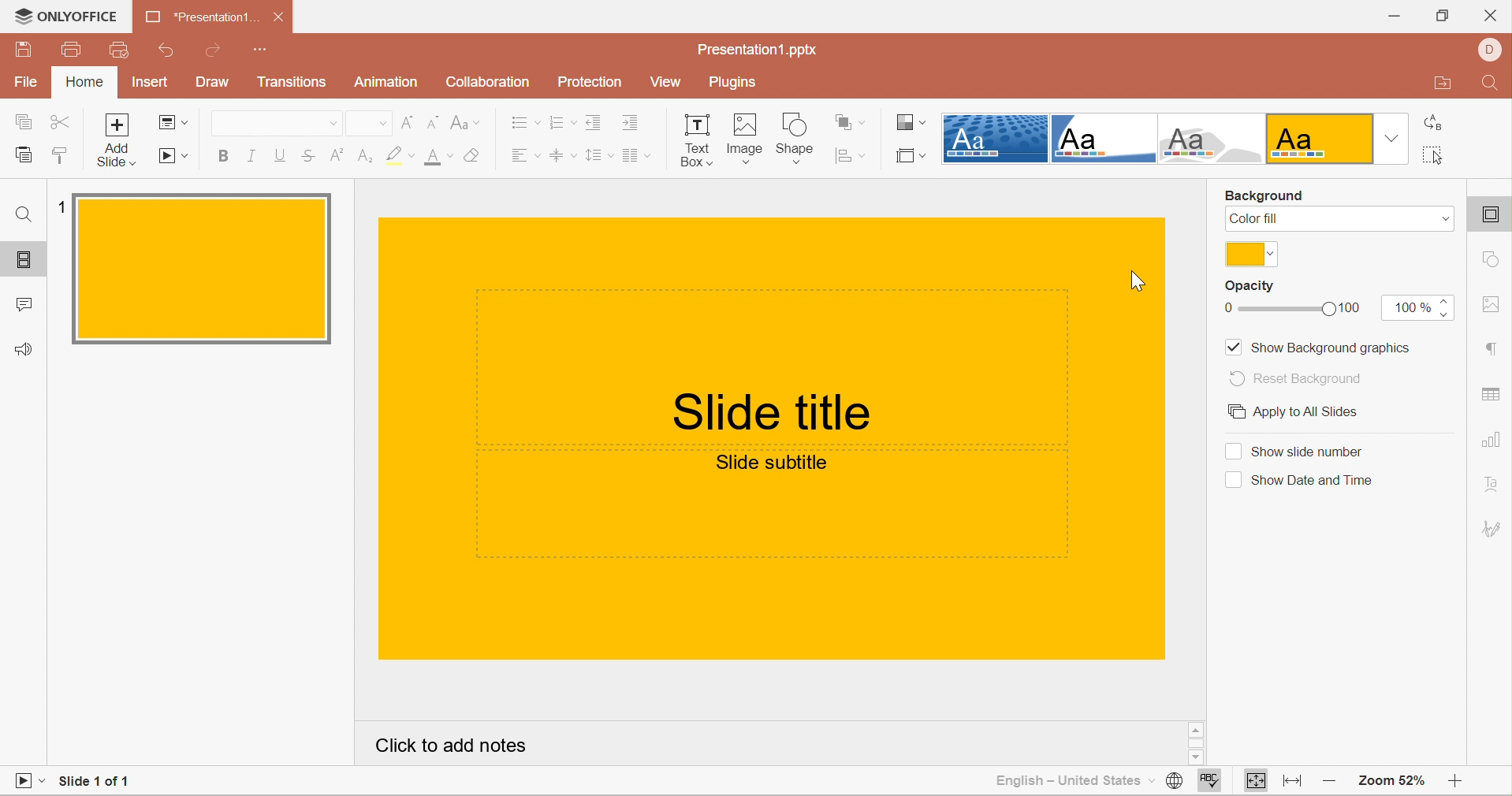 The image size is (1512, 796). Describe the element at coordinates (693, 139) in the screenshot. I see `Text Box` at that location.